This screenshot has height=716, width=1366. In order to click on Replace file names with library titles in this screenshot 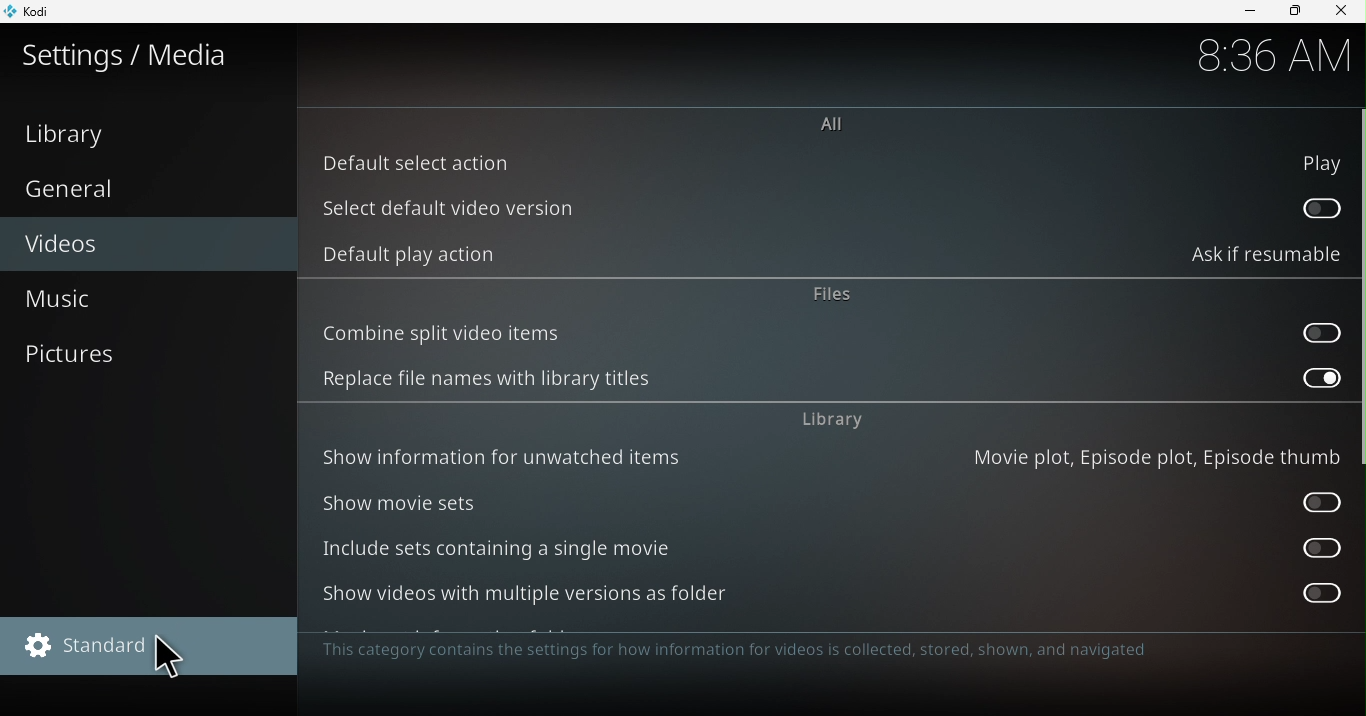, I will do `click(824, 377)`.